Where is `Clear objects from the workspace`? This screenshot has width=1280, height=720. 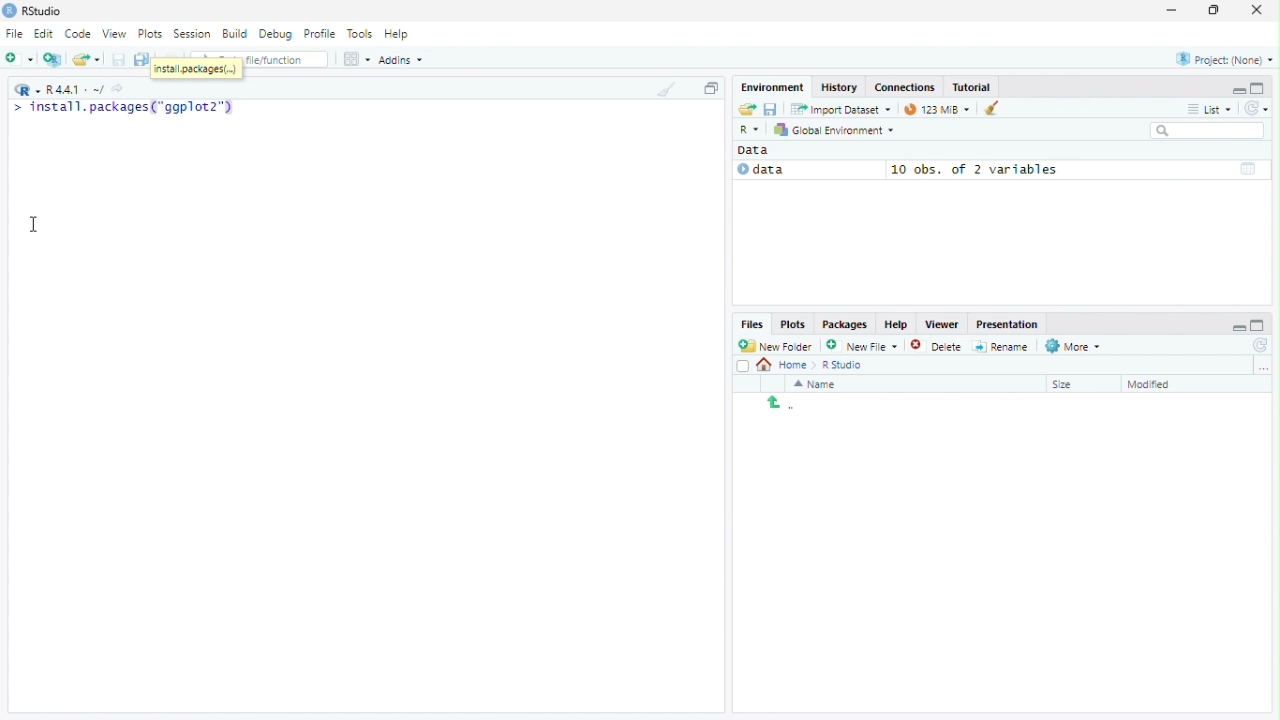 Clear objects from the workspace is located at coordinates (985, 108).